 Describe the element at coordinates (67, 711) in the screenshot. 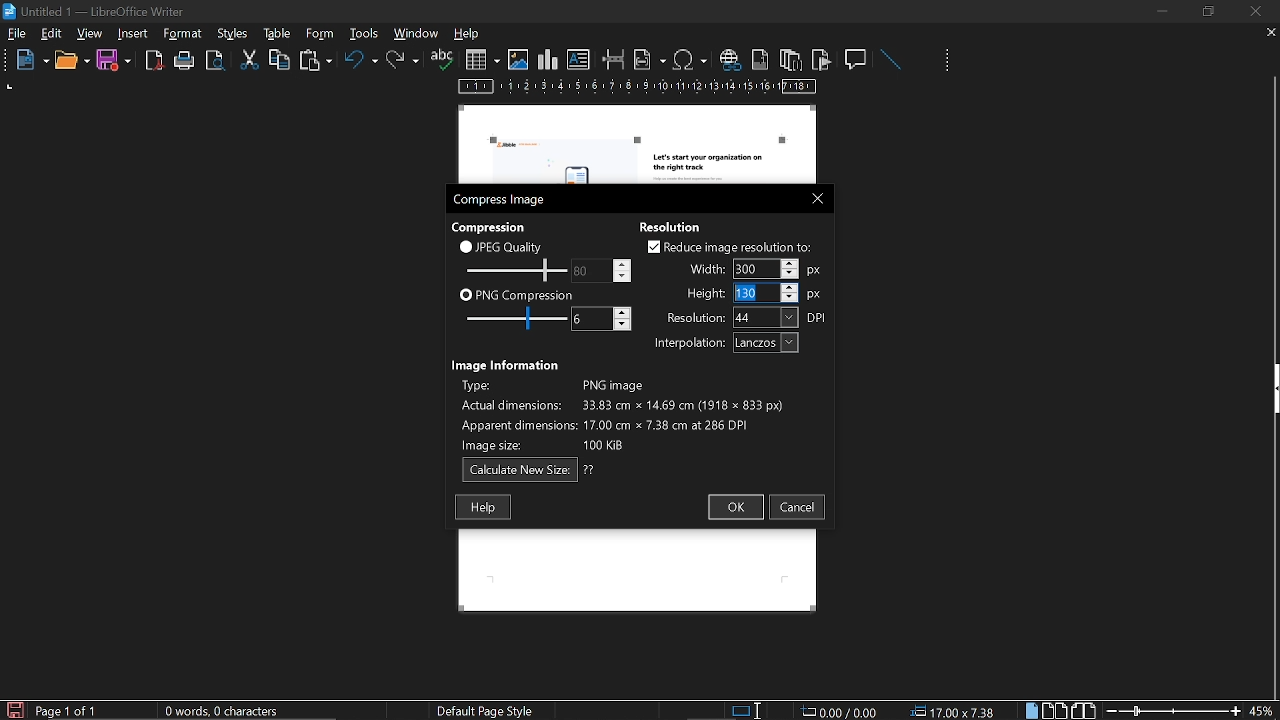

I see `current page` at that location.